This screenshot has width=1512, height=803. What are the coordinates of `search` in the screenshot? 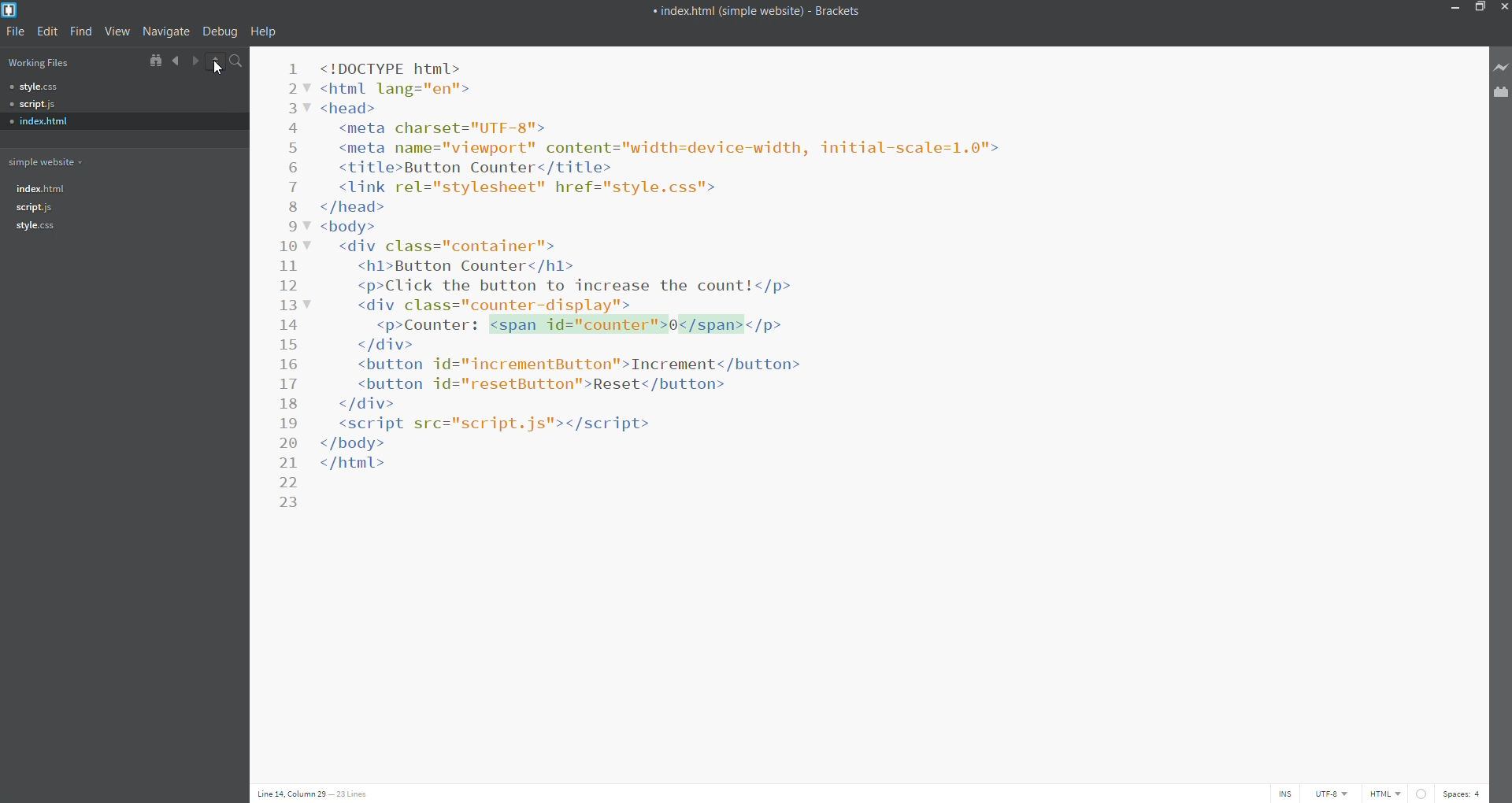 It's located at (235, 61).